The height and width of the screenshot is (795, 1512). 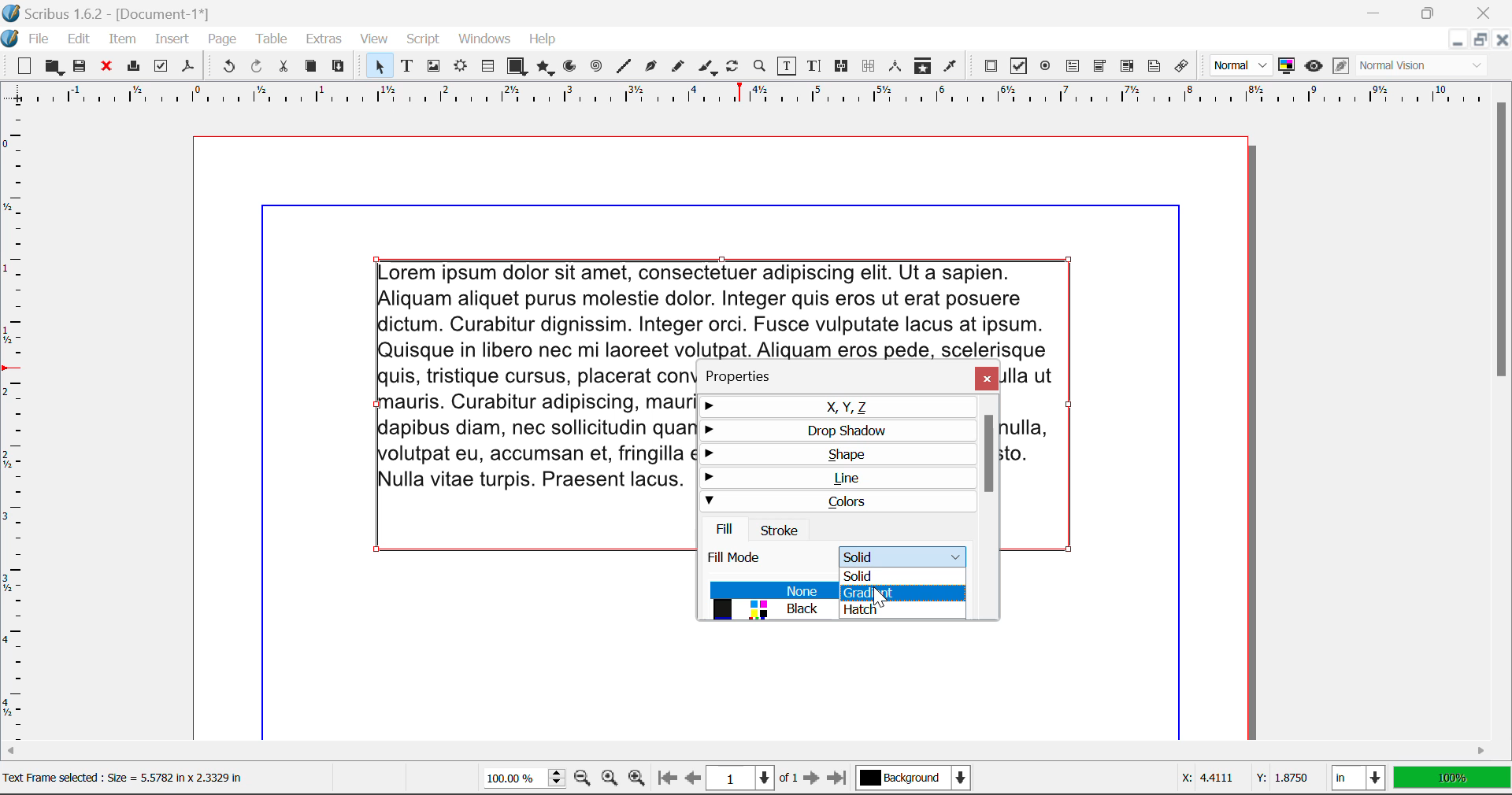 I want to click on Background, so click(x=917, y=780).